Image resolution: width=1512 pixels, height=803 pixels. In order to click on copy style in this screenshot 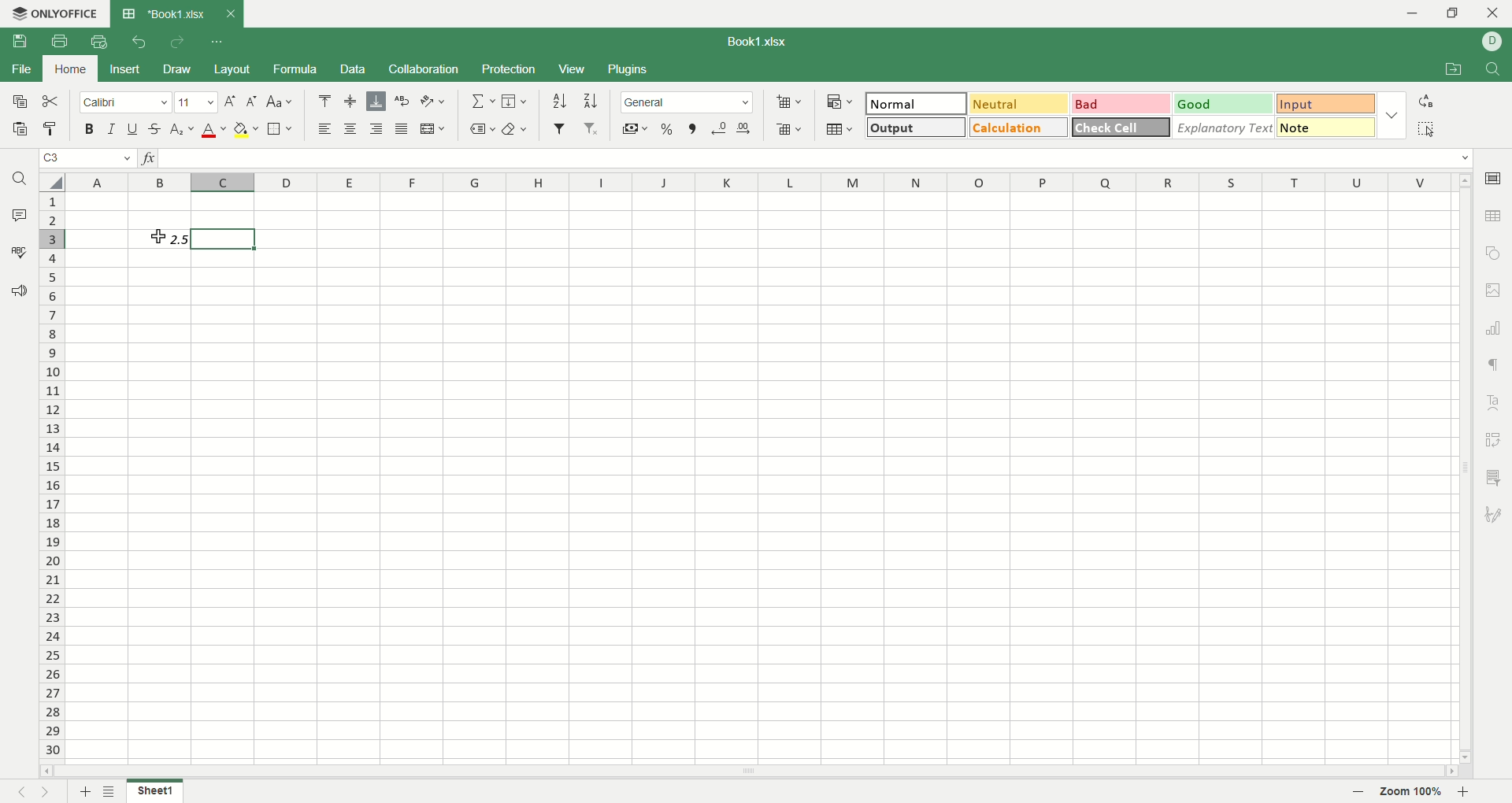, I will do `click(50, 128)`.